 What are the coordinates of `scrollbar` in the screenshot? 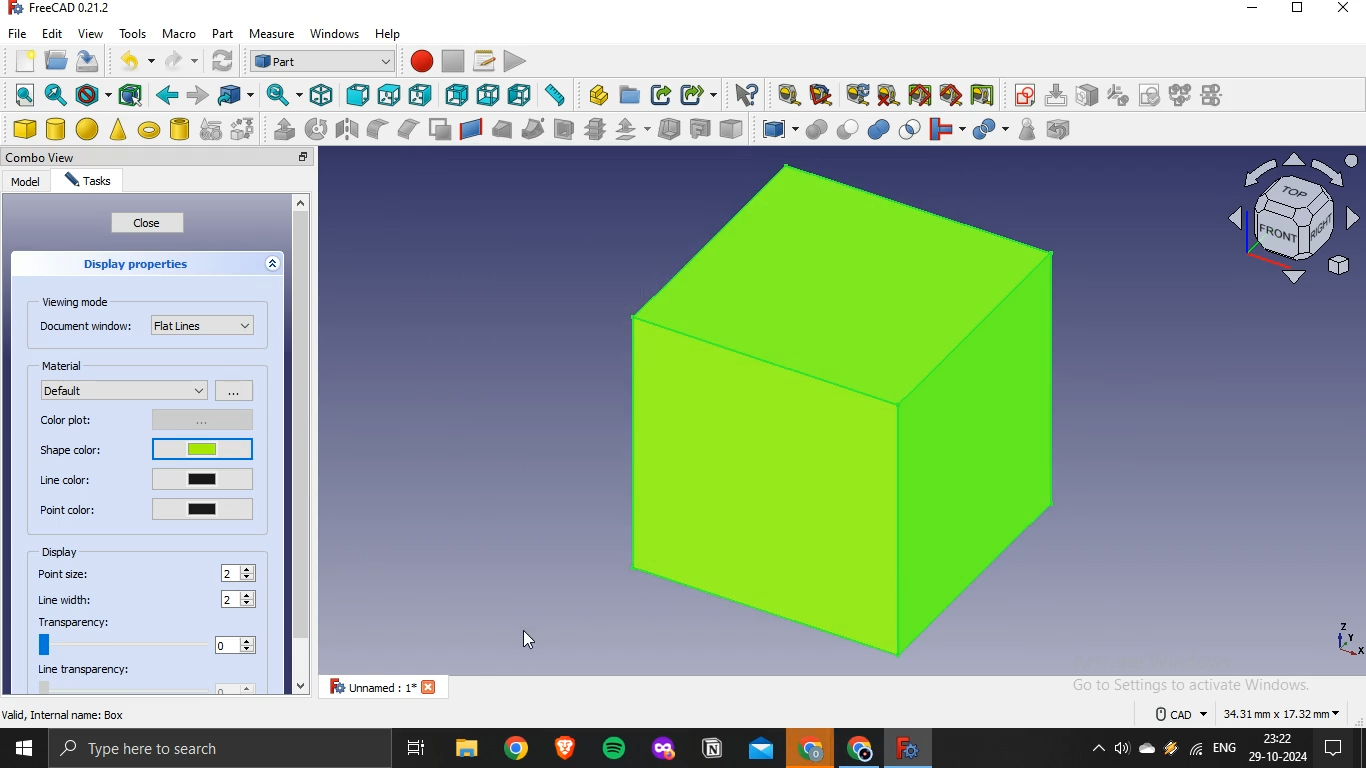 It's located at (301, 444).